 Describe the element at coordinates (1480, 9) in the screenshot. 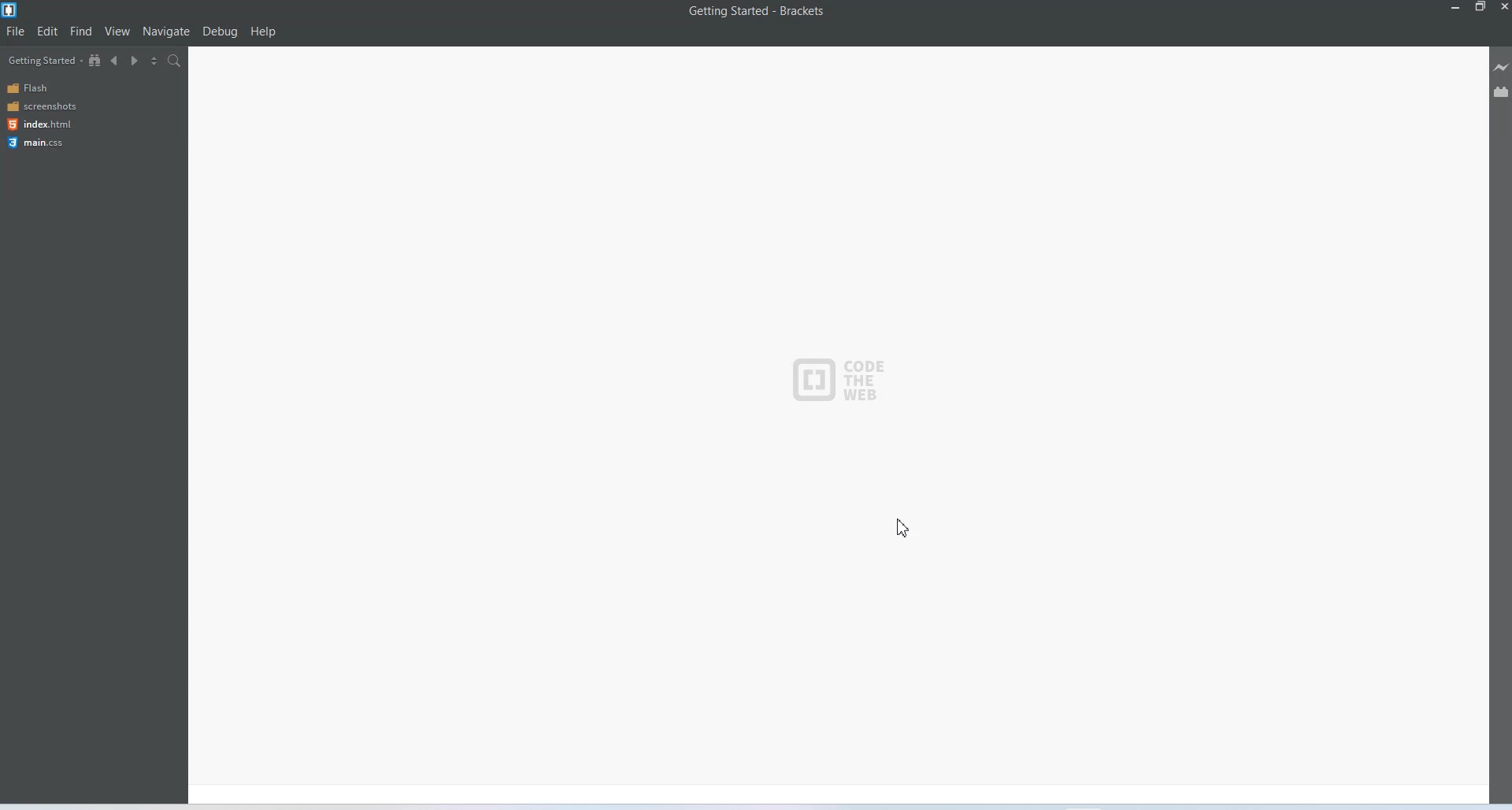

I see `Maximize` at that location.